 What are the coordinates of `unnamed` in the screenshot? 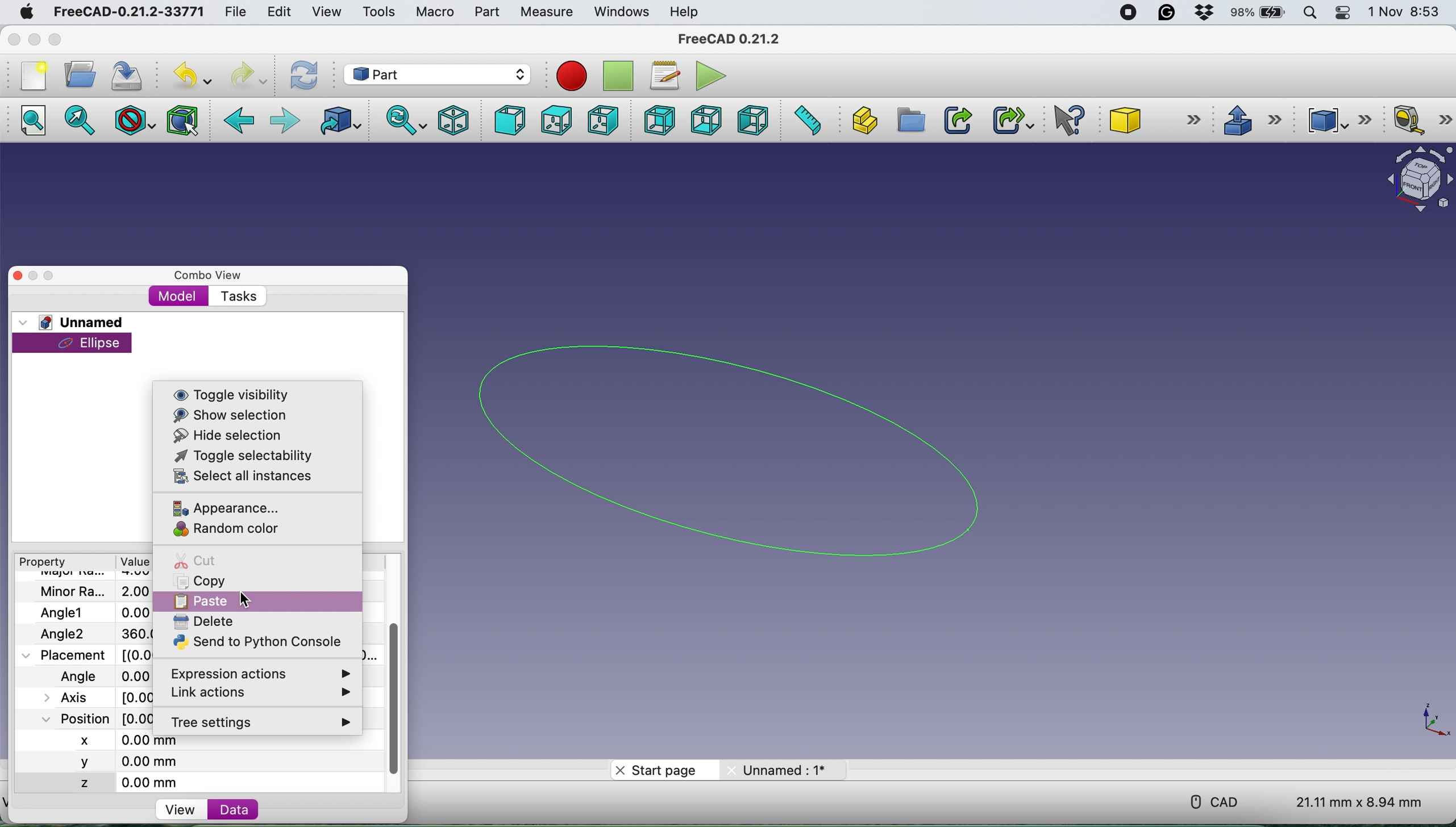 It's located at (779, 770).